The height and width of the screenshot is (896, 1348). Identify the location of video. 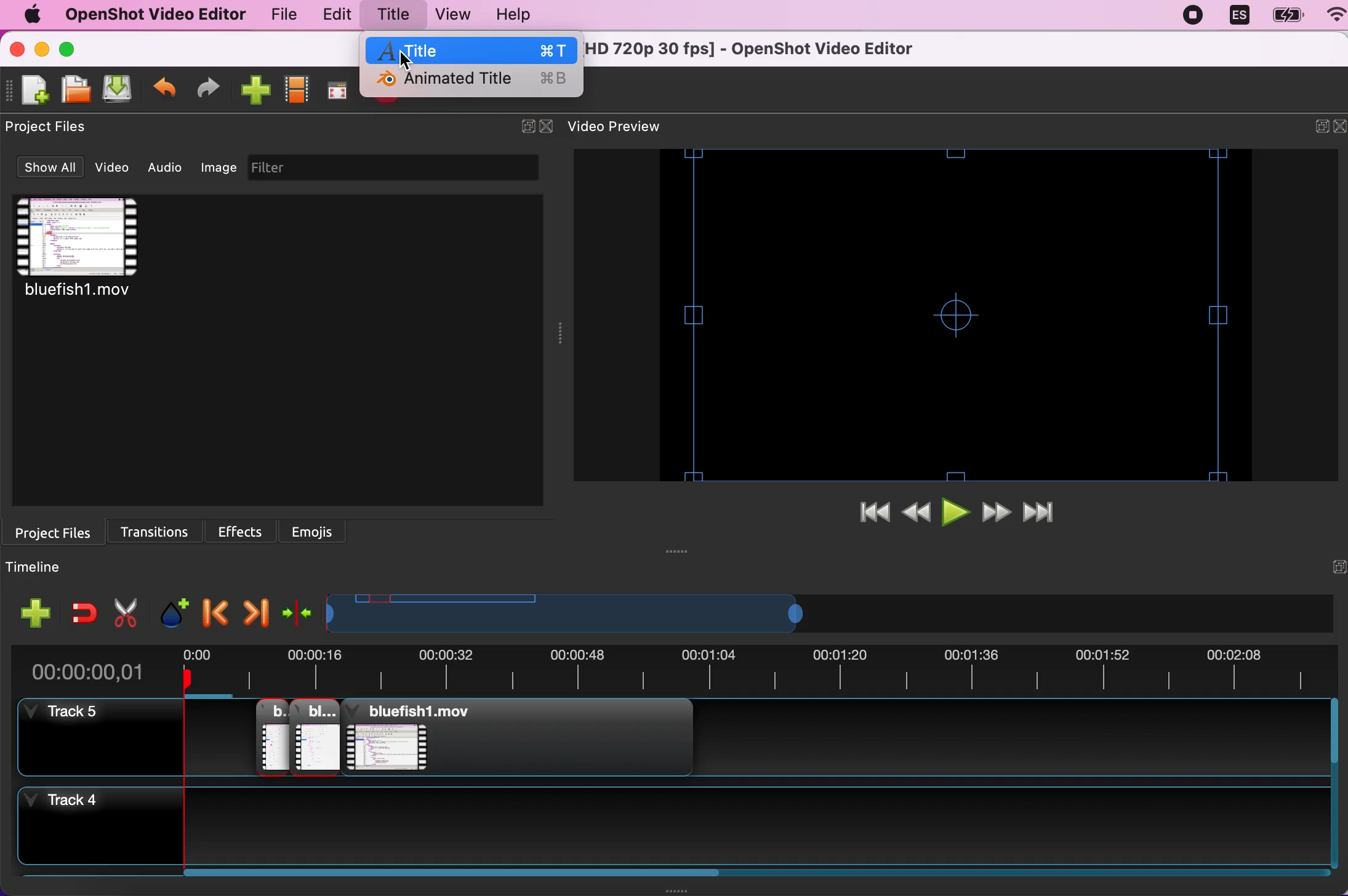
(100, 257).